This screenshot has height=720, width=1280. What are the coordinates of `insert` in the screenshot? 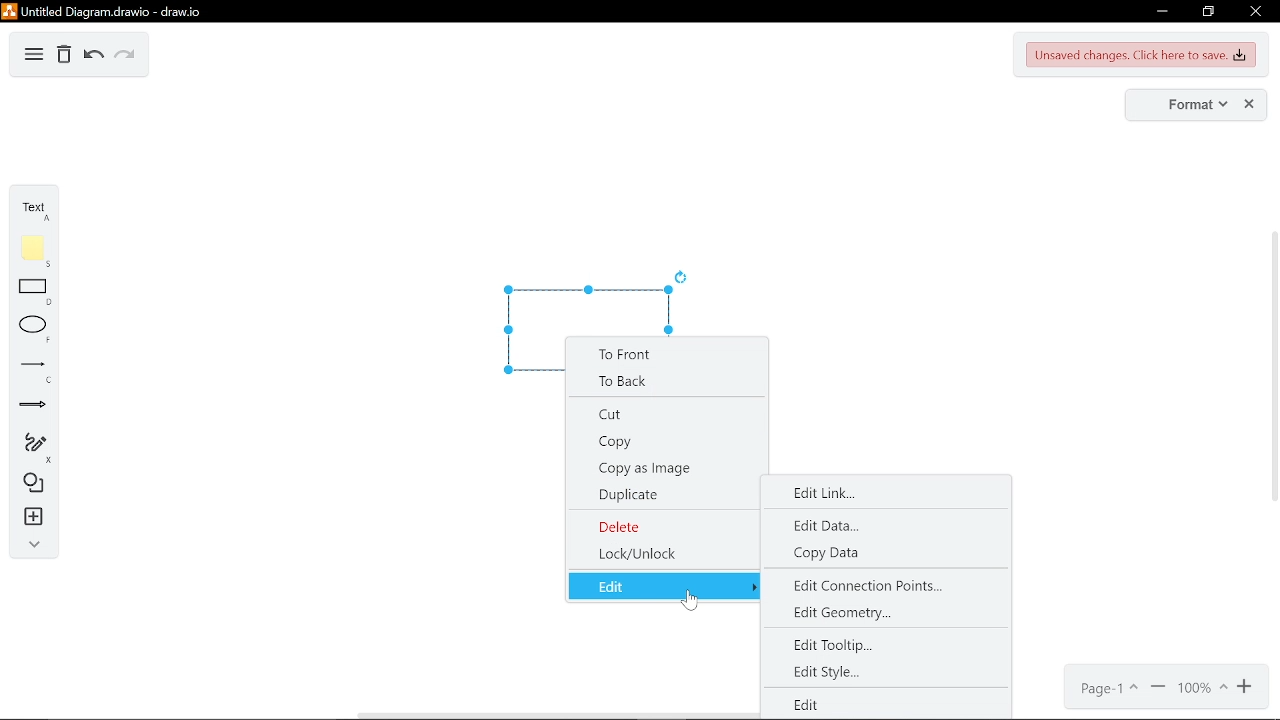 It's located at (36, 517).